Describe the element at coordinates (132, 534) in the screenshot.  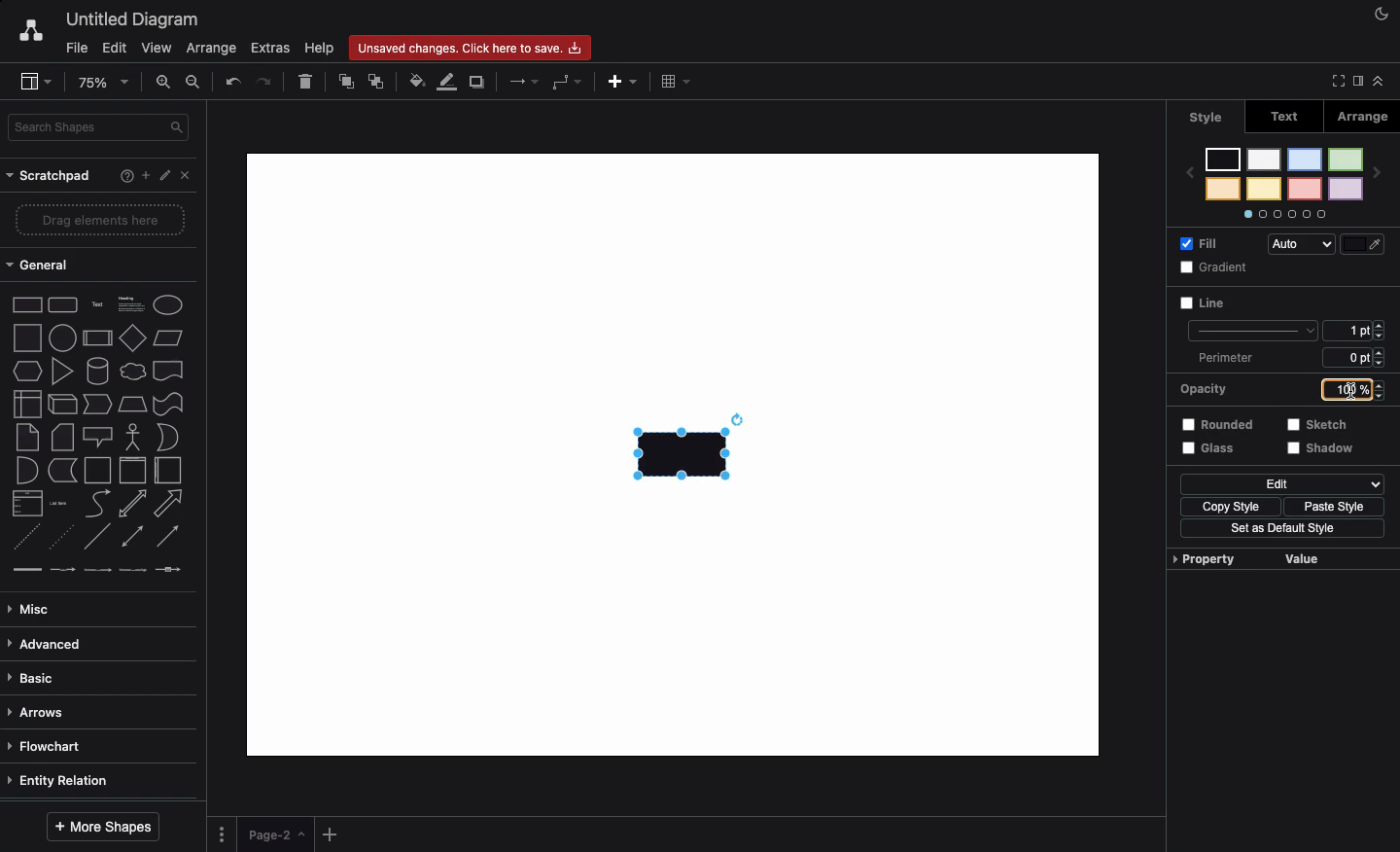
I see `bidirectional connector` at that location.